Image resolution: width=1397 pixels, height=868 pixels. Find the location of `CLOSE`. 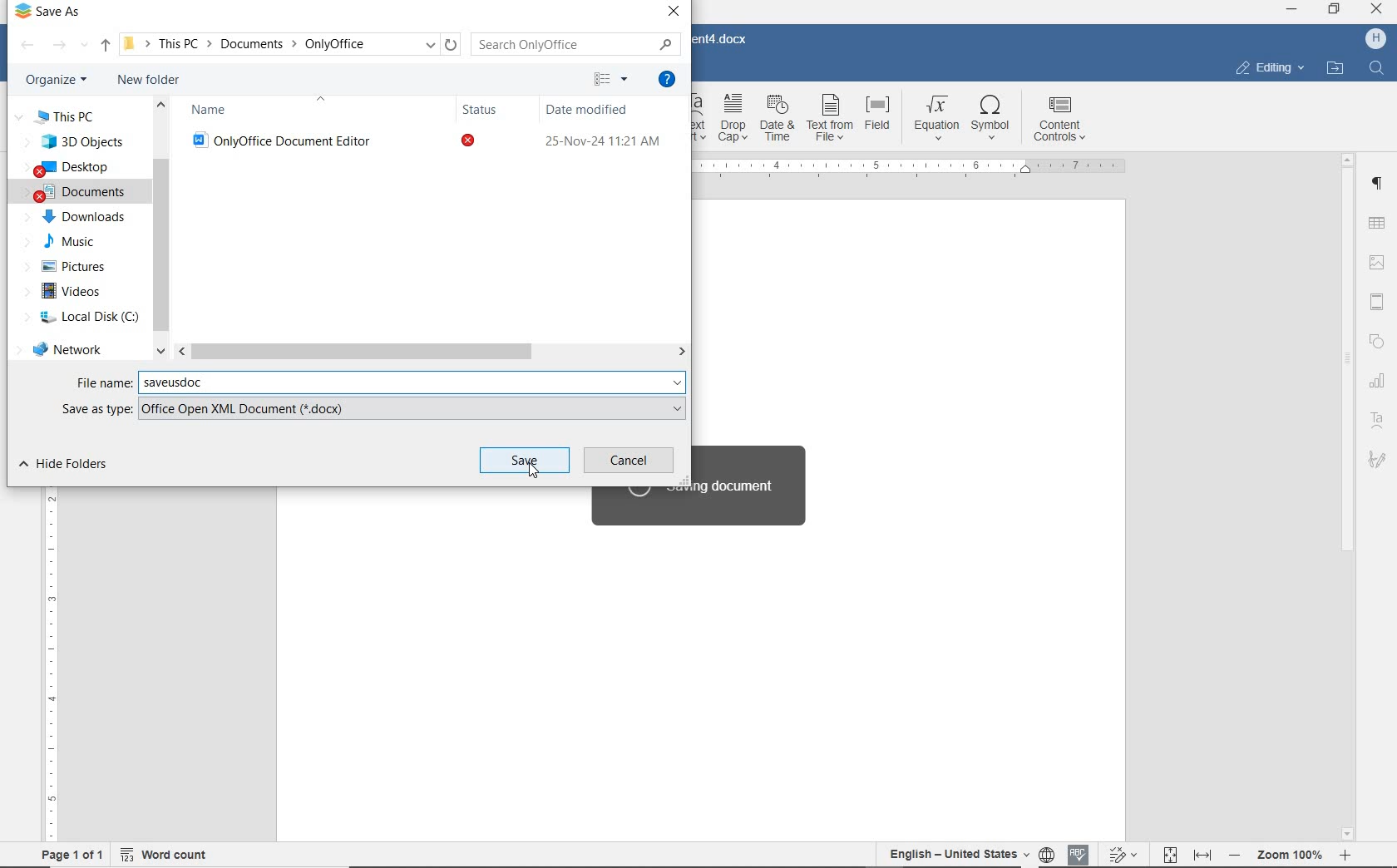

CLOSE is located at coordinates (1377, 9).